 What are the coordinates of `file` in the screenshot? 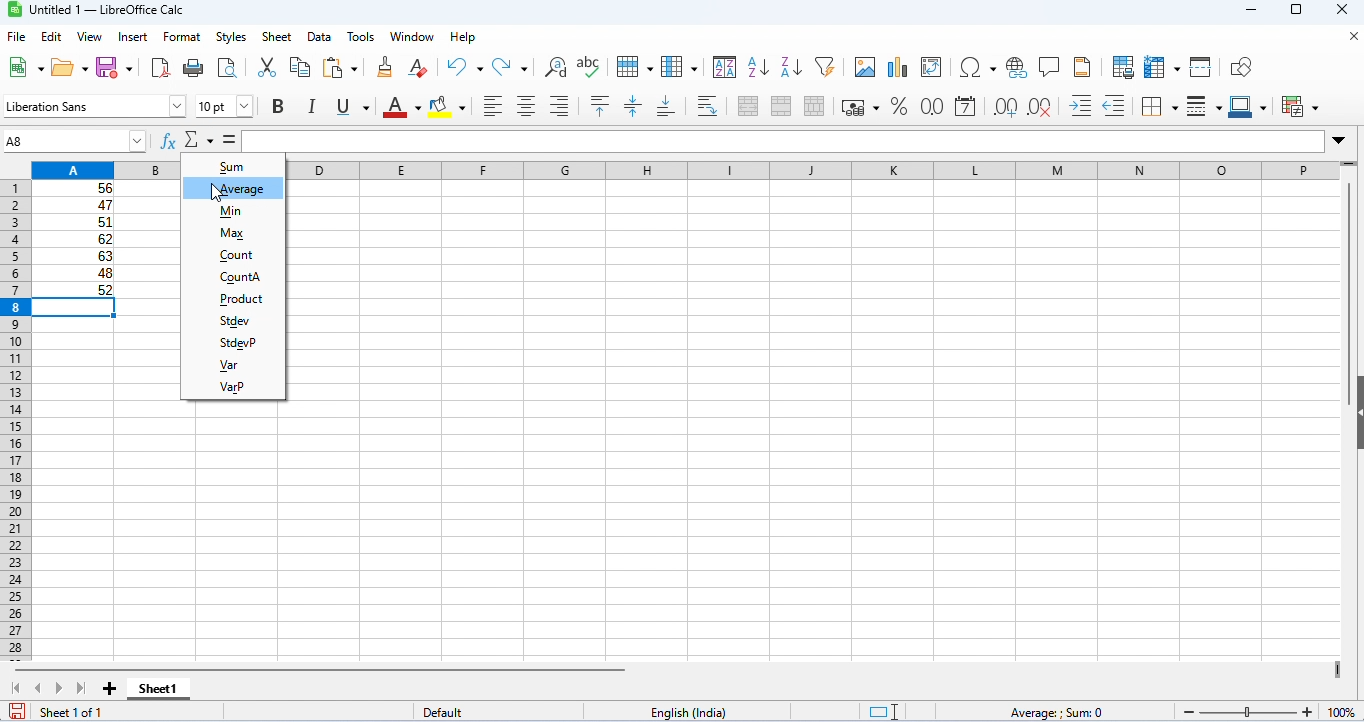 It's located at (16, 37).